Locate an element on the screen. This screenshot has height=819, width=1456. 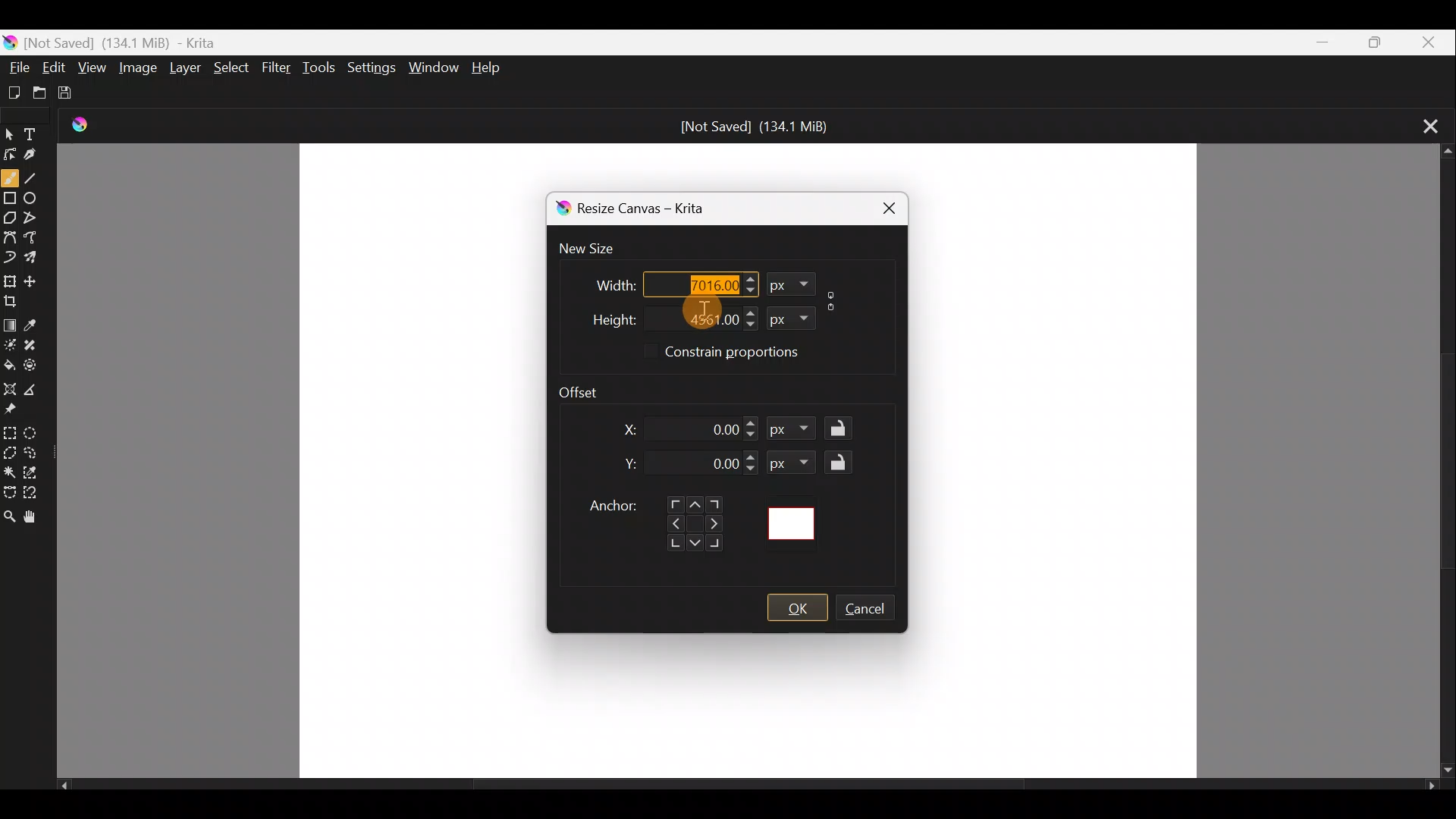
Zoom tool is located at coordinates (9, 517).